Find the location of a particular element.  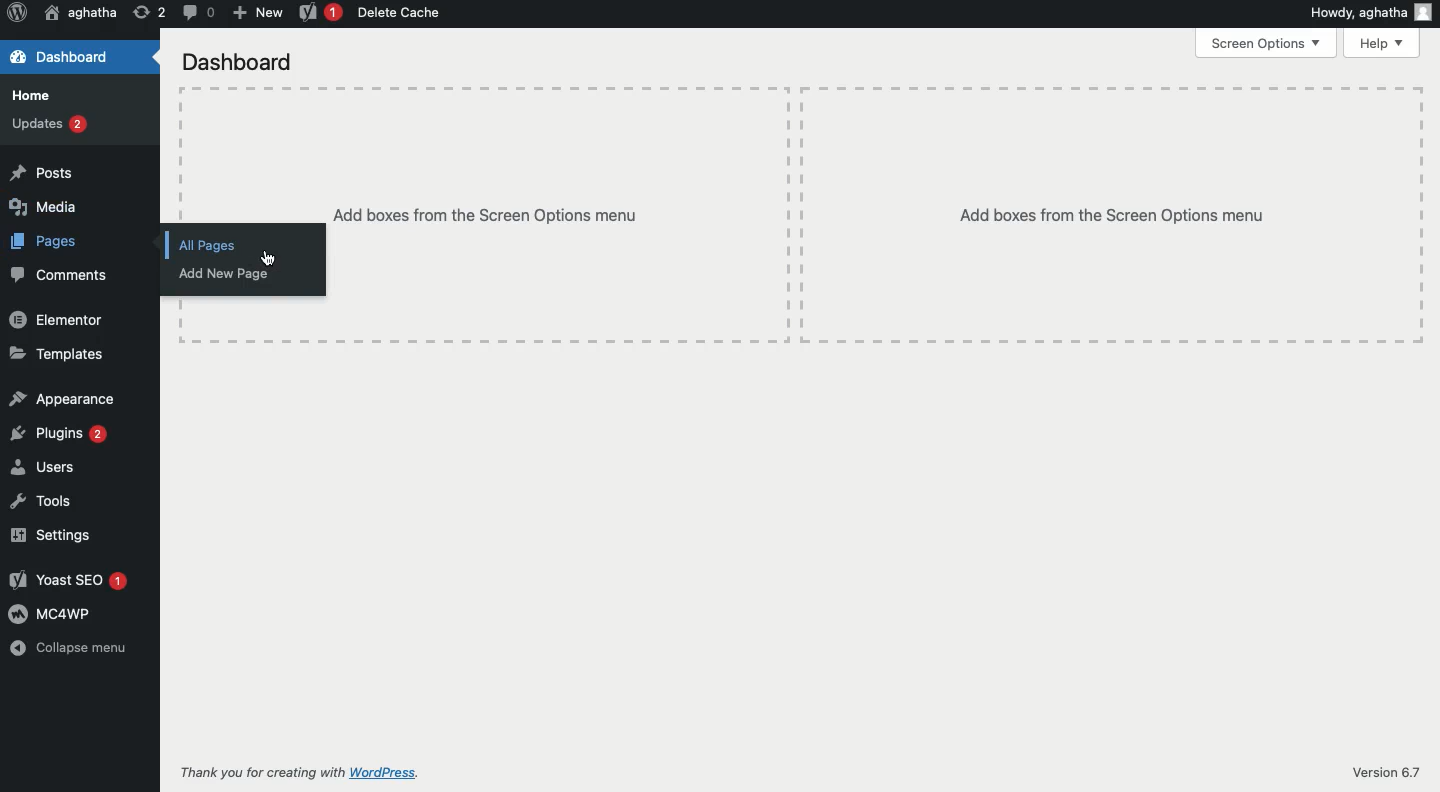

Settings is located at coordinates (47, 536).